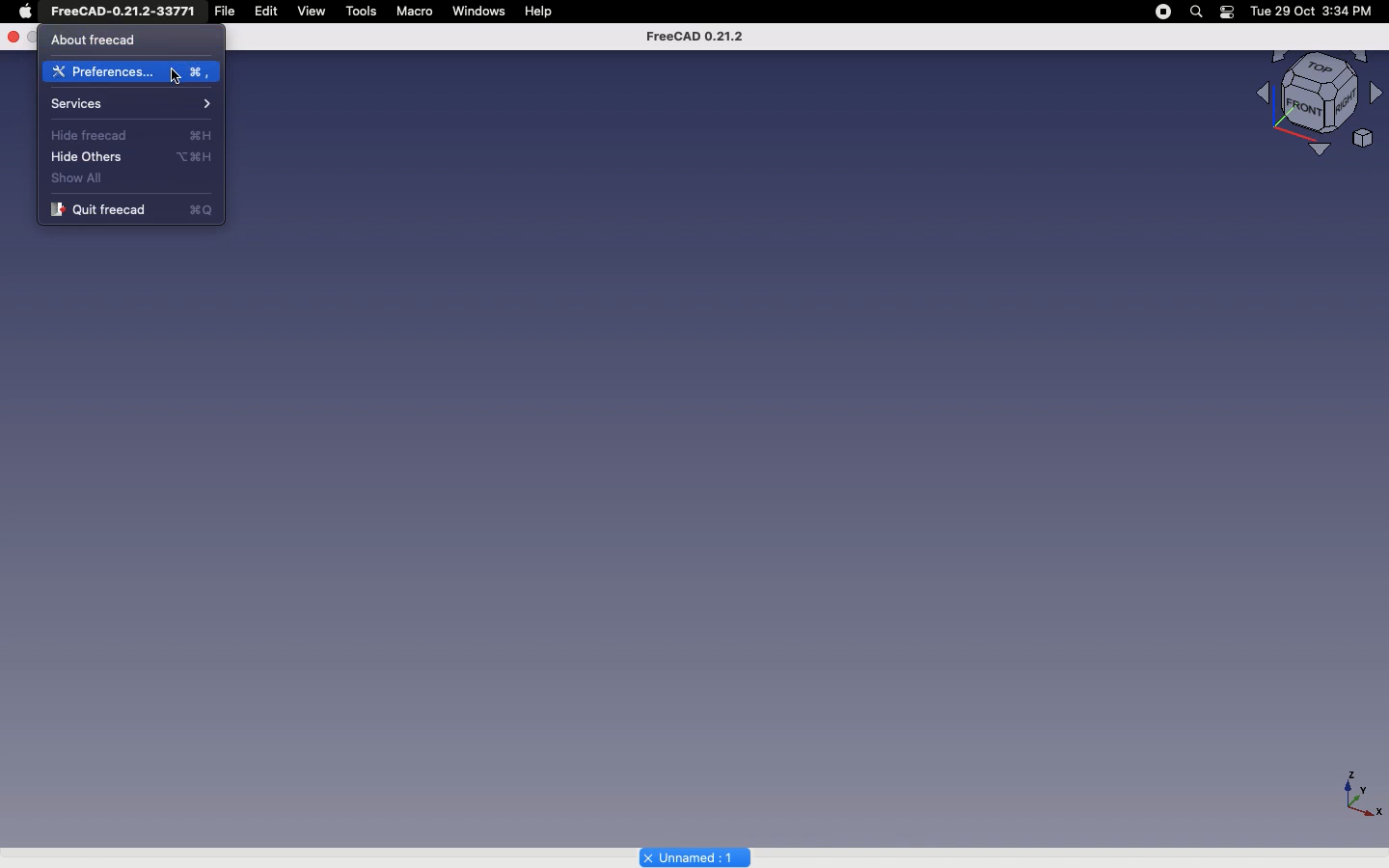 Image resolution: width=1389 pixels, height=868 pixels. Describe the element at coordinates (479, 12) in the screenshot. I see `windows` at that location.